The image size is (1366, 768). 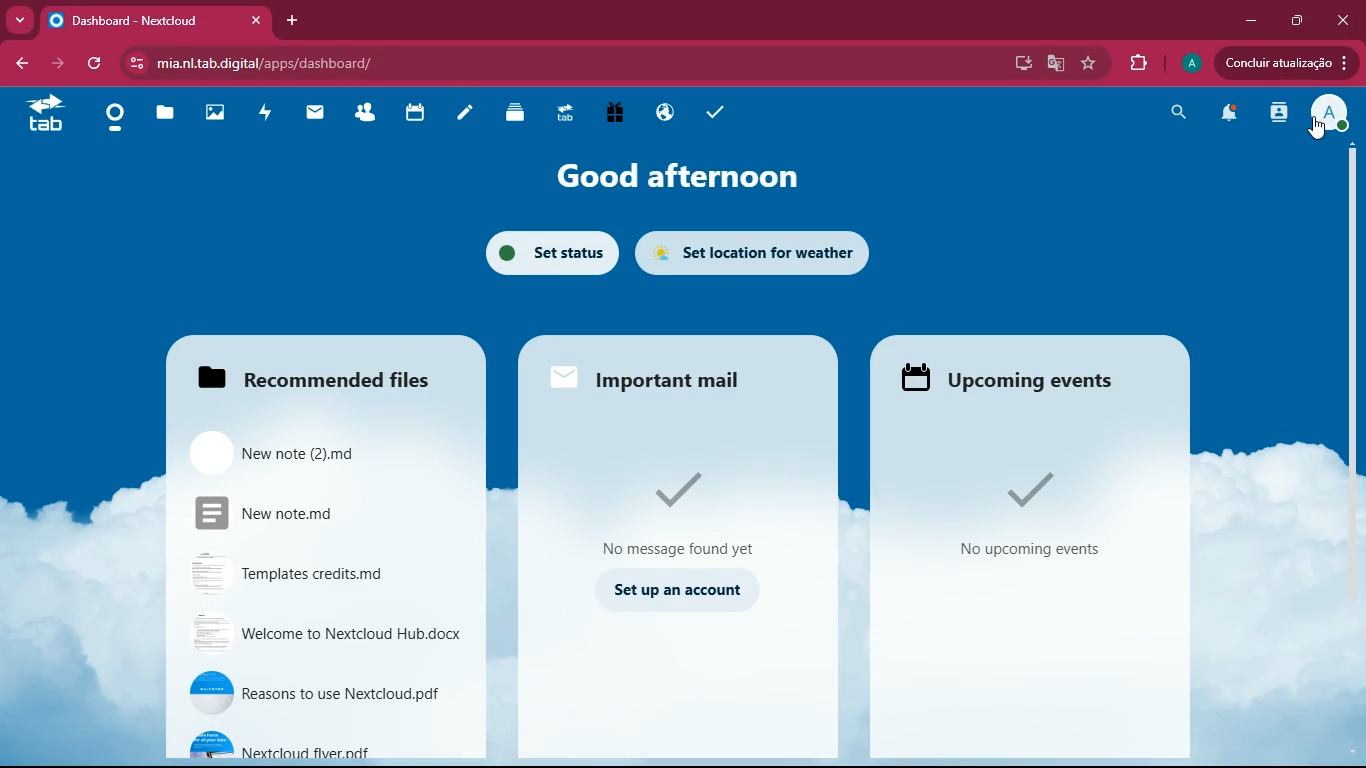 What do you see at coordinates (371, 113) in the screenshot?
I see `friends` at bounding box center [371, 113].